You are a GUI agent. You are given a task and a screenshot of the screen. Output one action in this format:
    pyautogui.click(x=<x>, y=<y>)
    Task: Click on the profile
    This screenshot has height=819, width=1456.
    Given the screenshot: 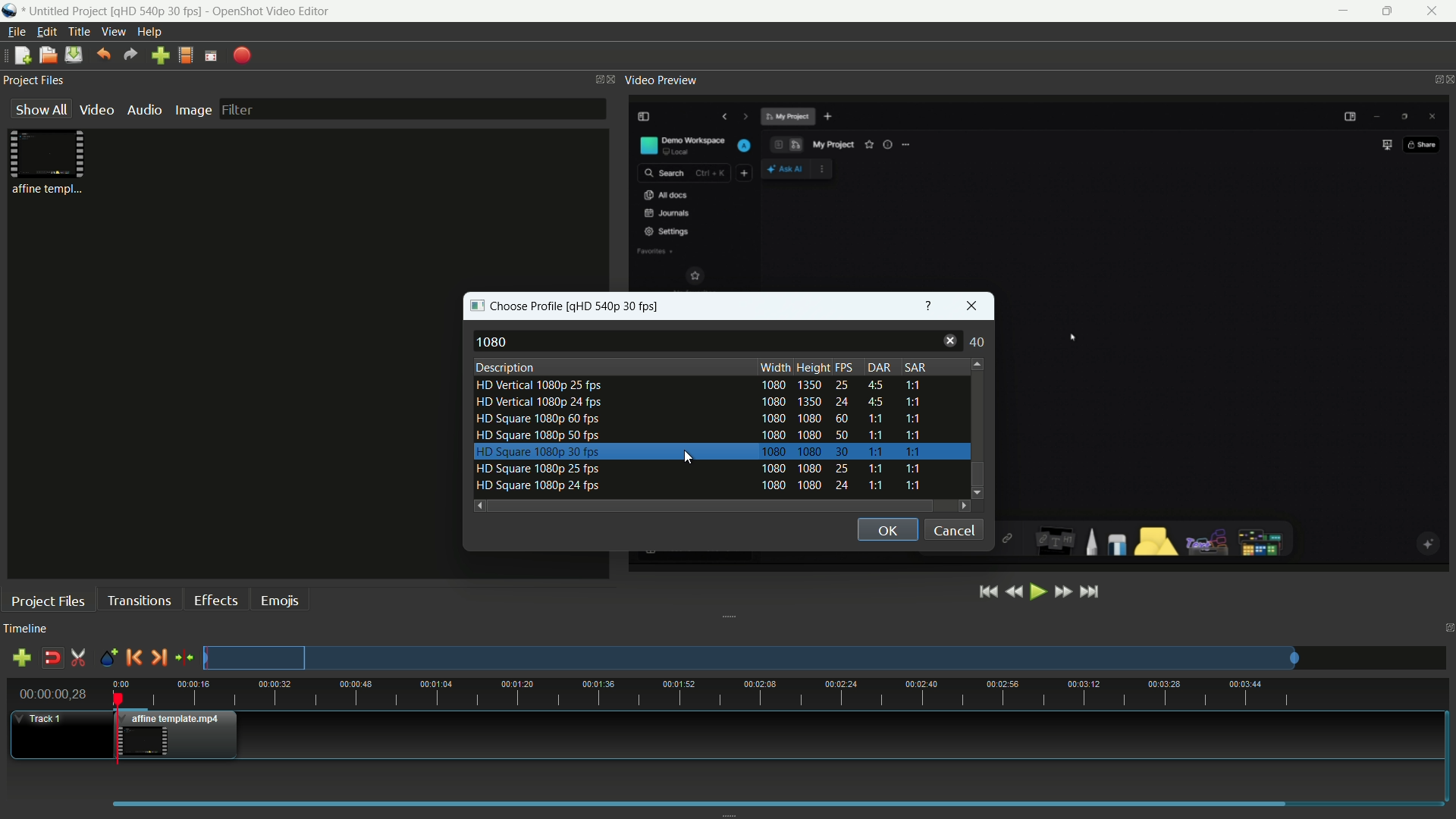 What is the action you would take?
    pyautogui.click(x=158, y=10)
    